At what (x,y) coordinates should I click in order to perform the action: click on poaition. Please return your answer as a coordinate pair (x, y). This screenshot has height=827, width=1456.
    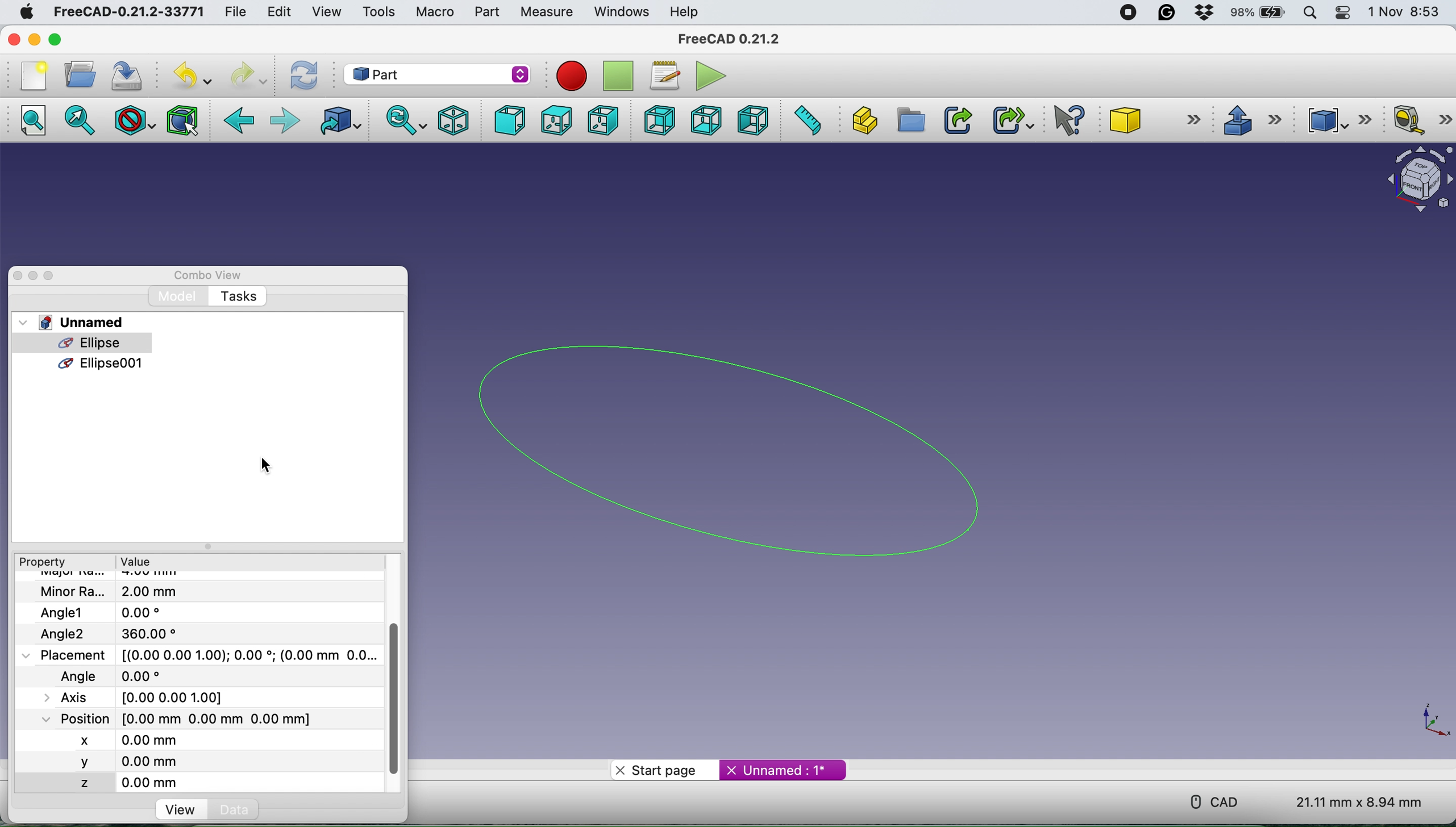
    Looking at the image, I should click on (207, 718).